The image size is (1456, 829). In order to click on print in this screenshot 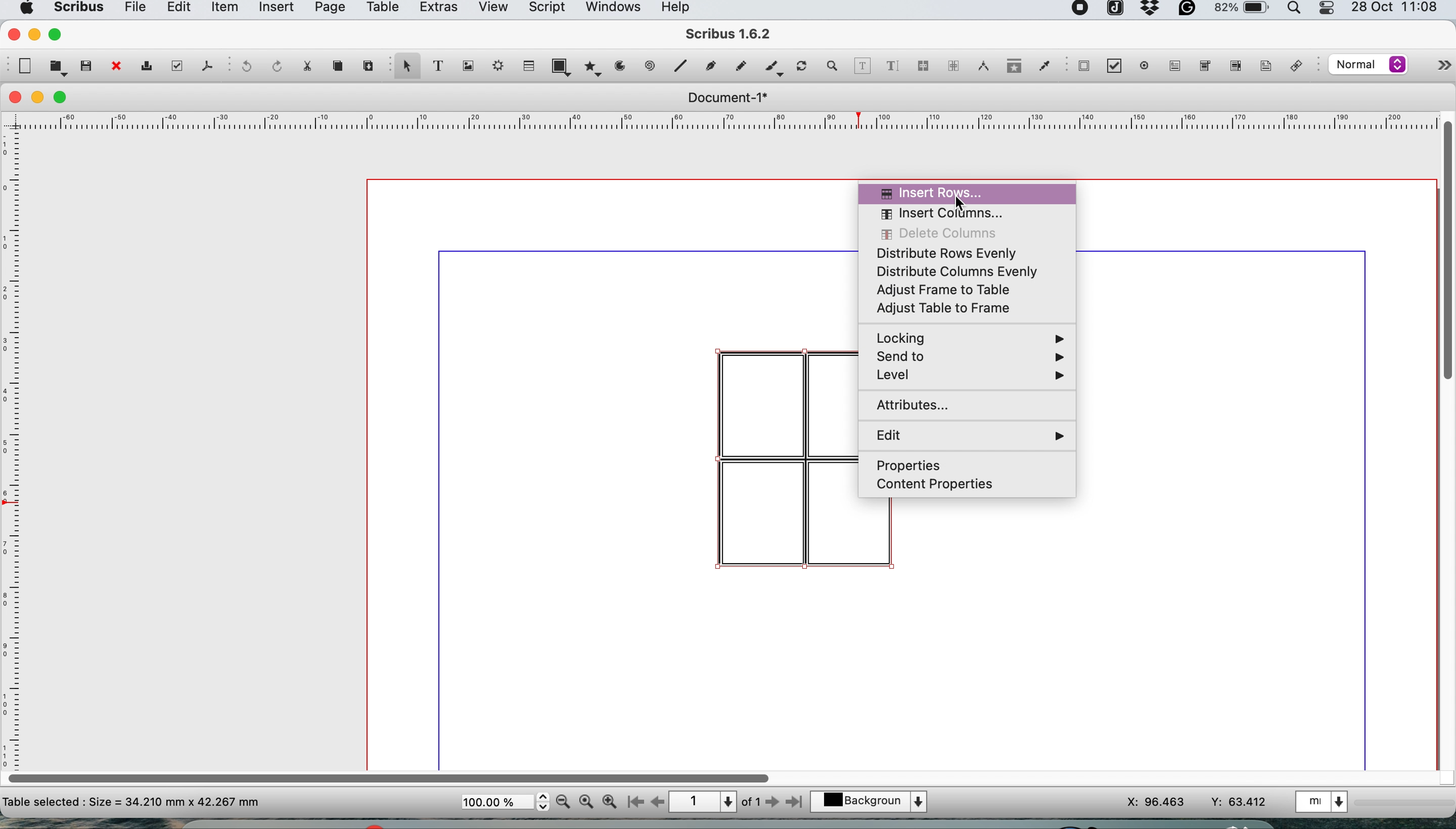, I will do `click(145, 68)`.